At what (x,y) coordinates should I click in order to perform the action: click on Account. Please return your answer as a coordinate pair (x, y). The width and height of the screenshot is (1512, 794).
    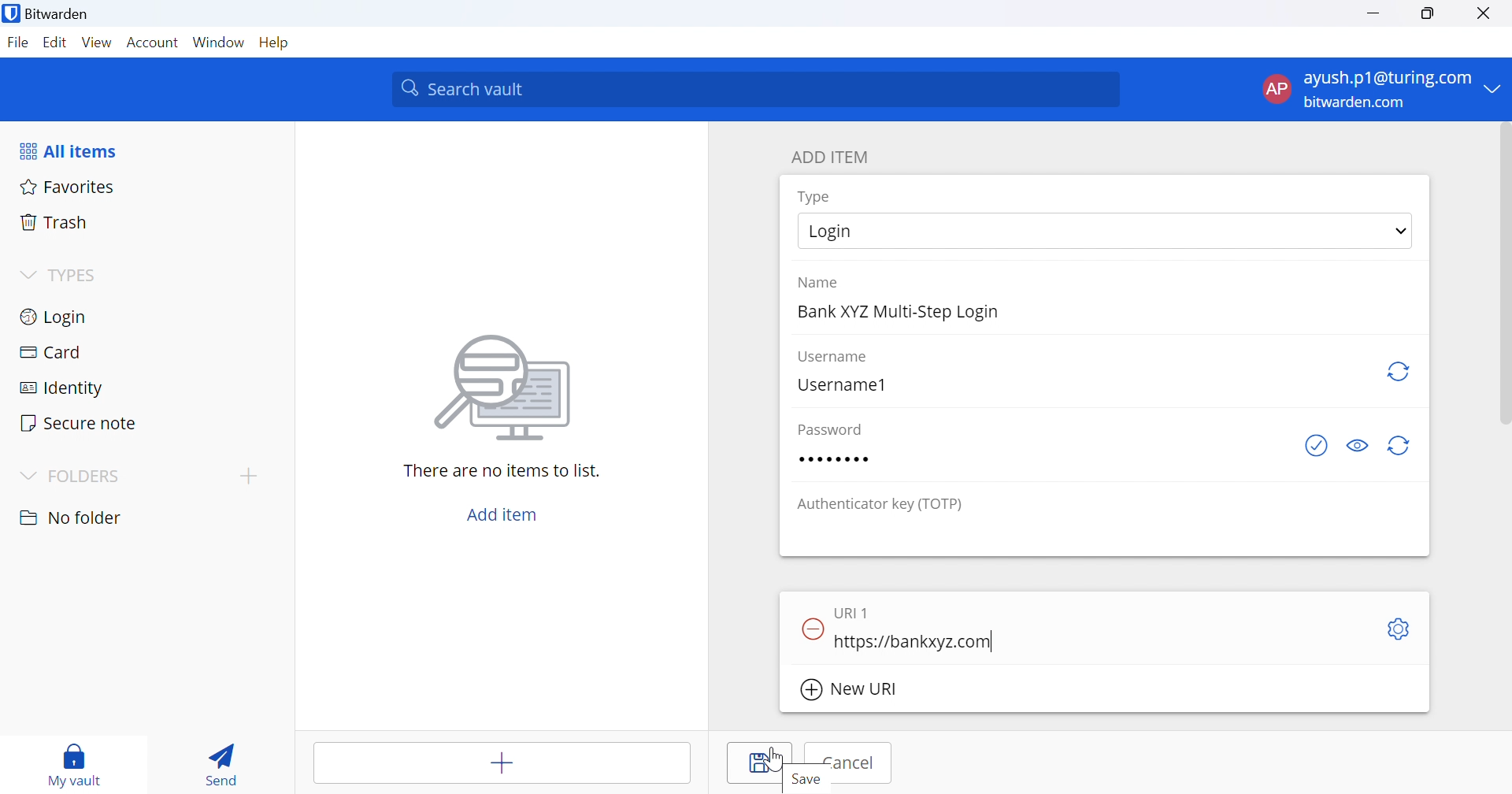
    Looking at the image, I should click on (154, 43).